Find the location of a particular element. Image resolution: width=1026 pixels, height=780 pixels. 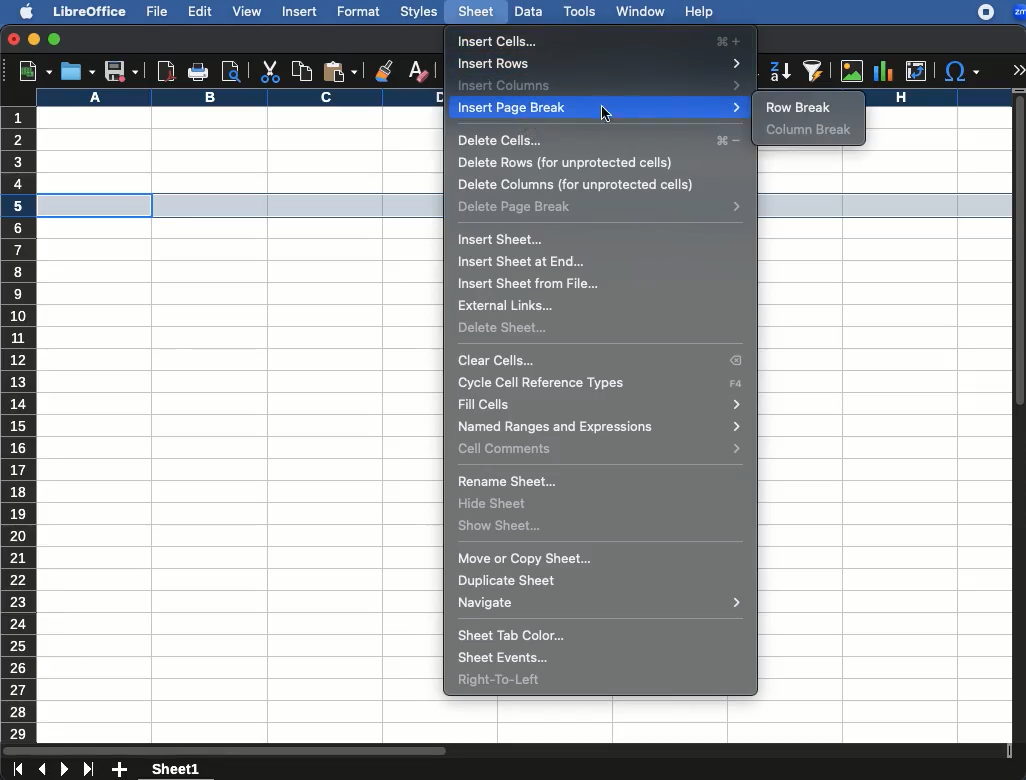

row break is located at coordinates (805, 108).